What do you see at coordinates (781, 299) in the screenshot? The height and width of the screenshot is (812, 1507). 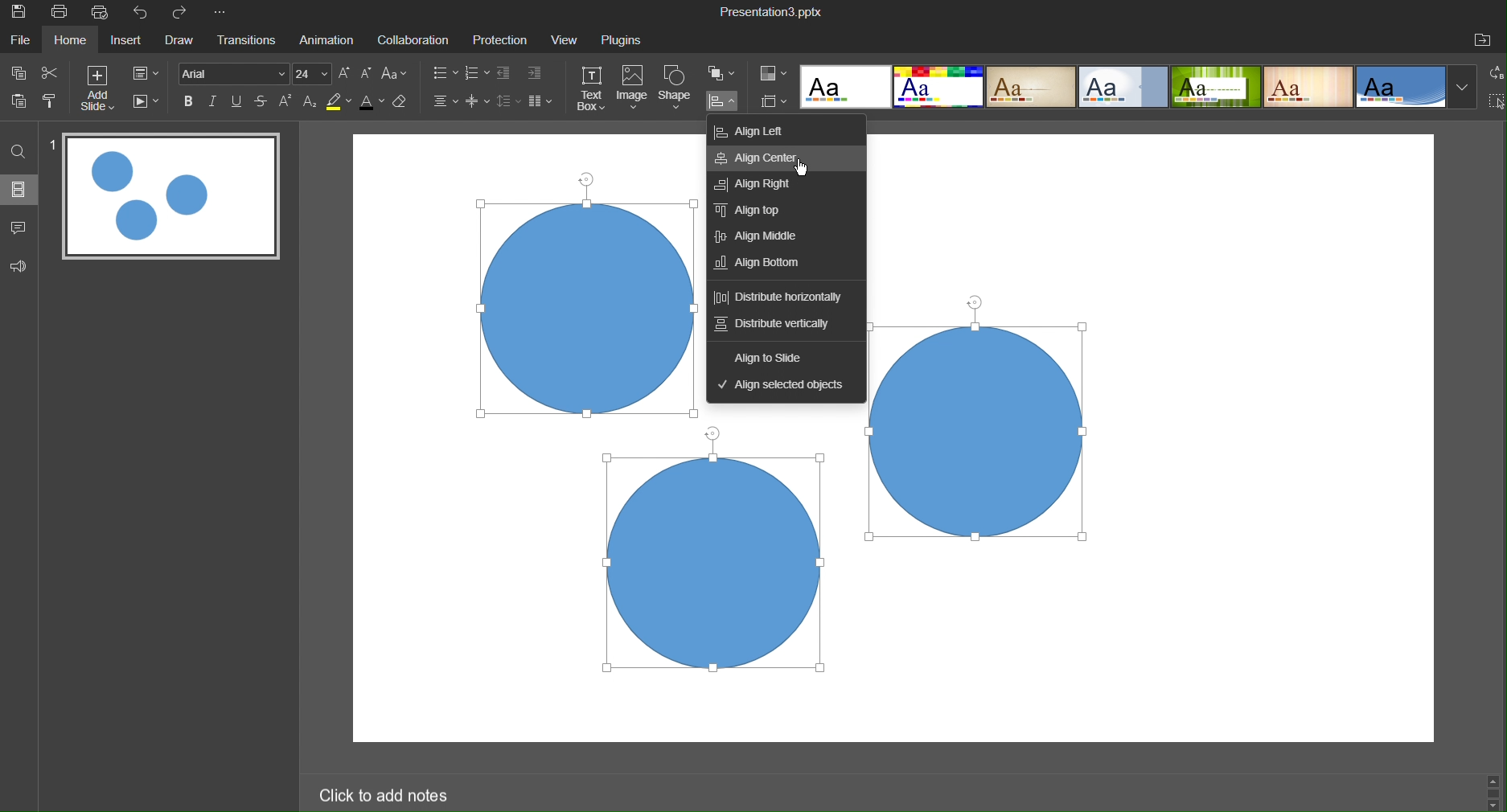 I see `Distribute Horizontally` at bounding box center [781, 299].